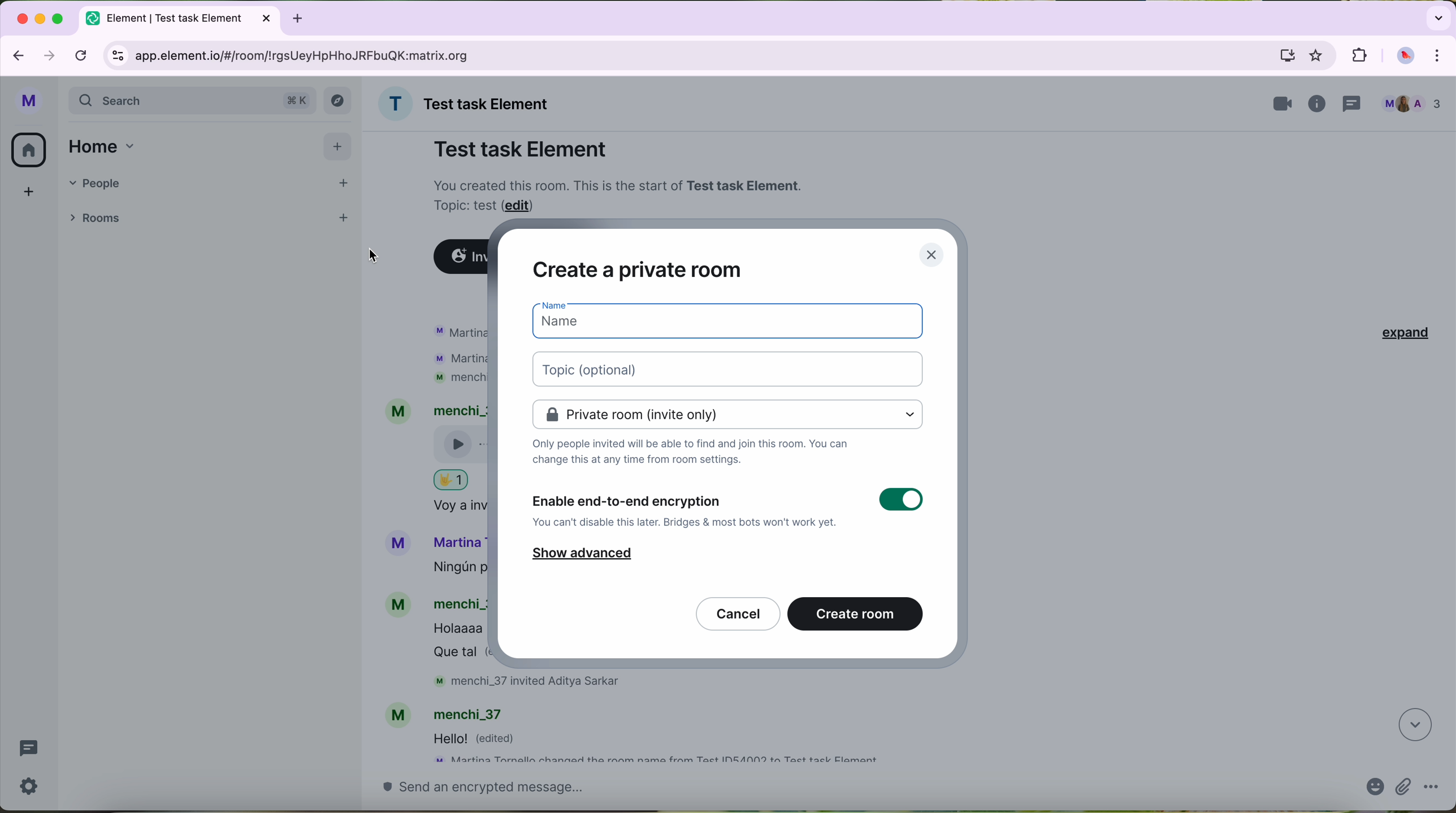  I want to click on home tab, so click(106, 146).